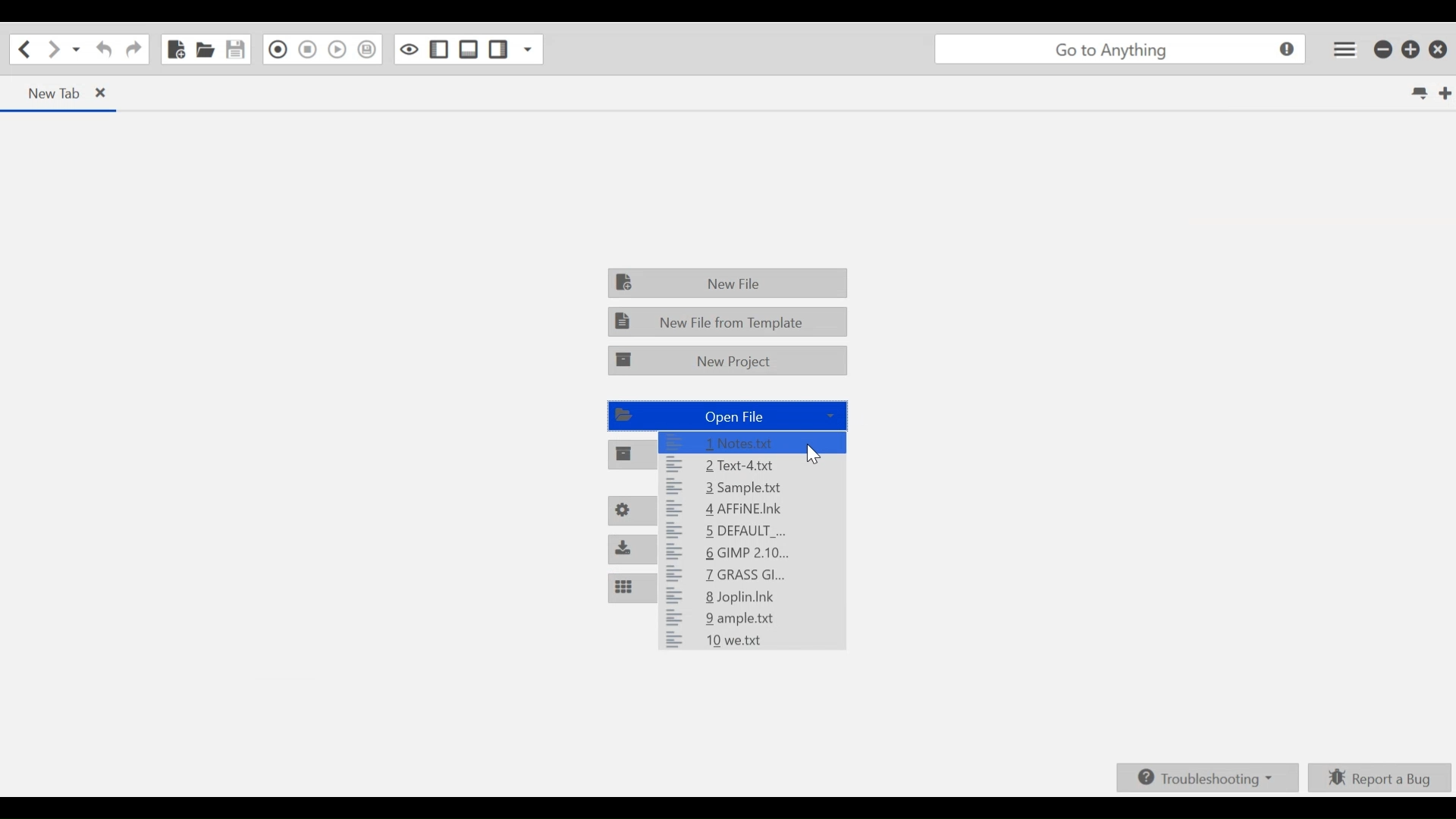 Image resolution: width=1456 pixels, height=819 pixels. What do you see at coordinates (439, 50) in the screenshot?
I see `Show/Hide left Pane` at bounding box center [439, 50].